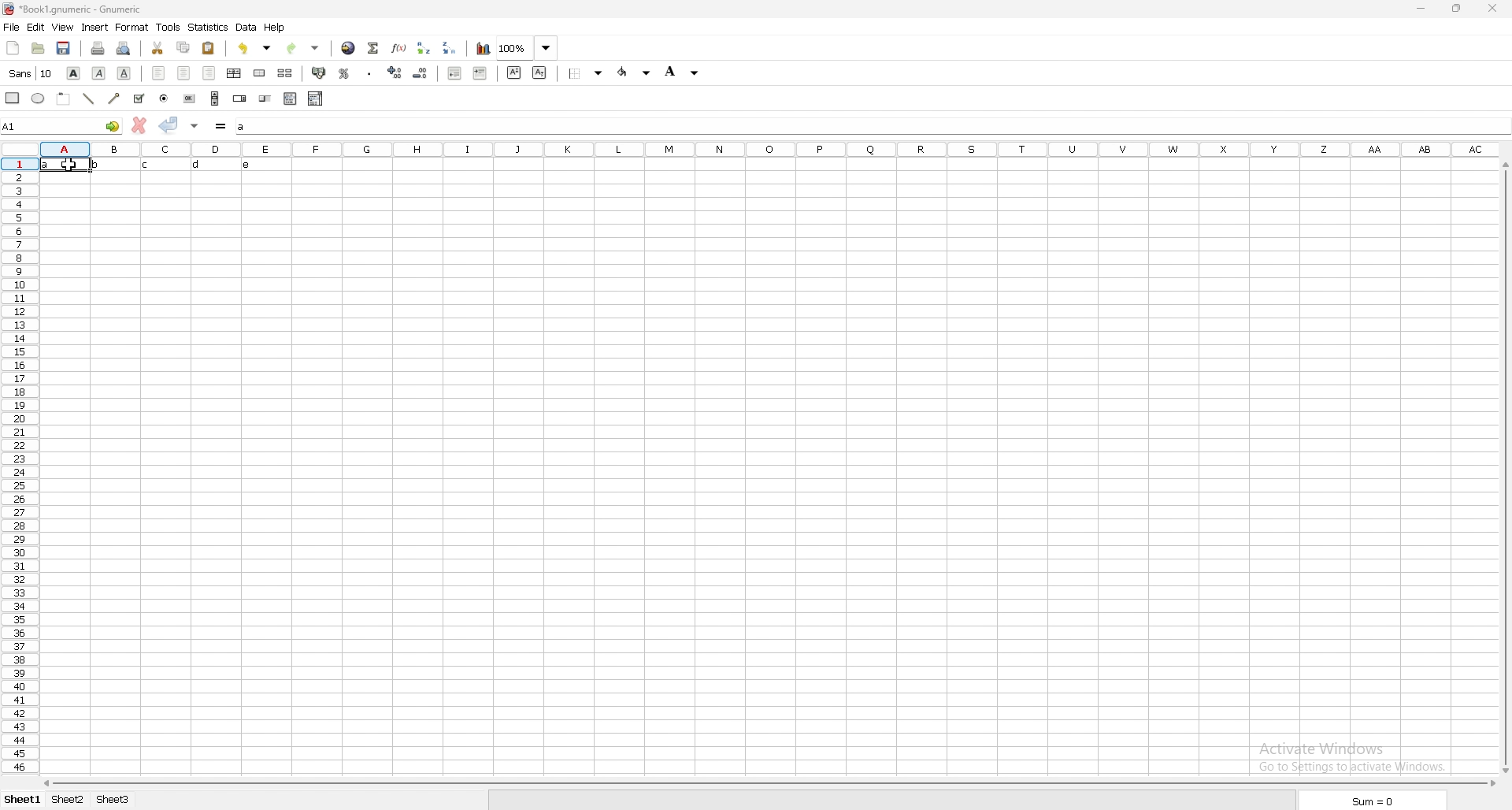 Image resolution: width=1512 pixels, height=810 pixels. Describe the element at coordinates (374, 48) in the screenshot. I see `summation` at that location.